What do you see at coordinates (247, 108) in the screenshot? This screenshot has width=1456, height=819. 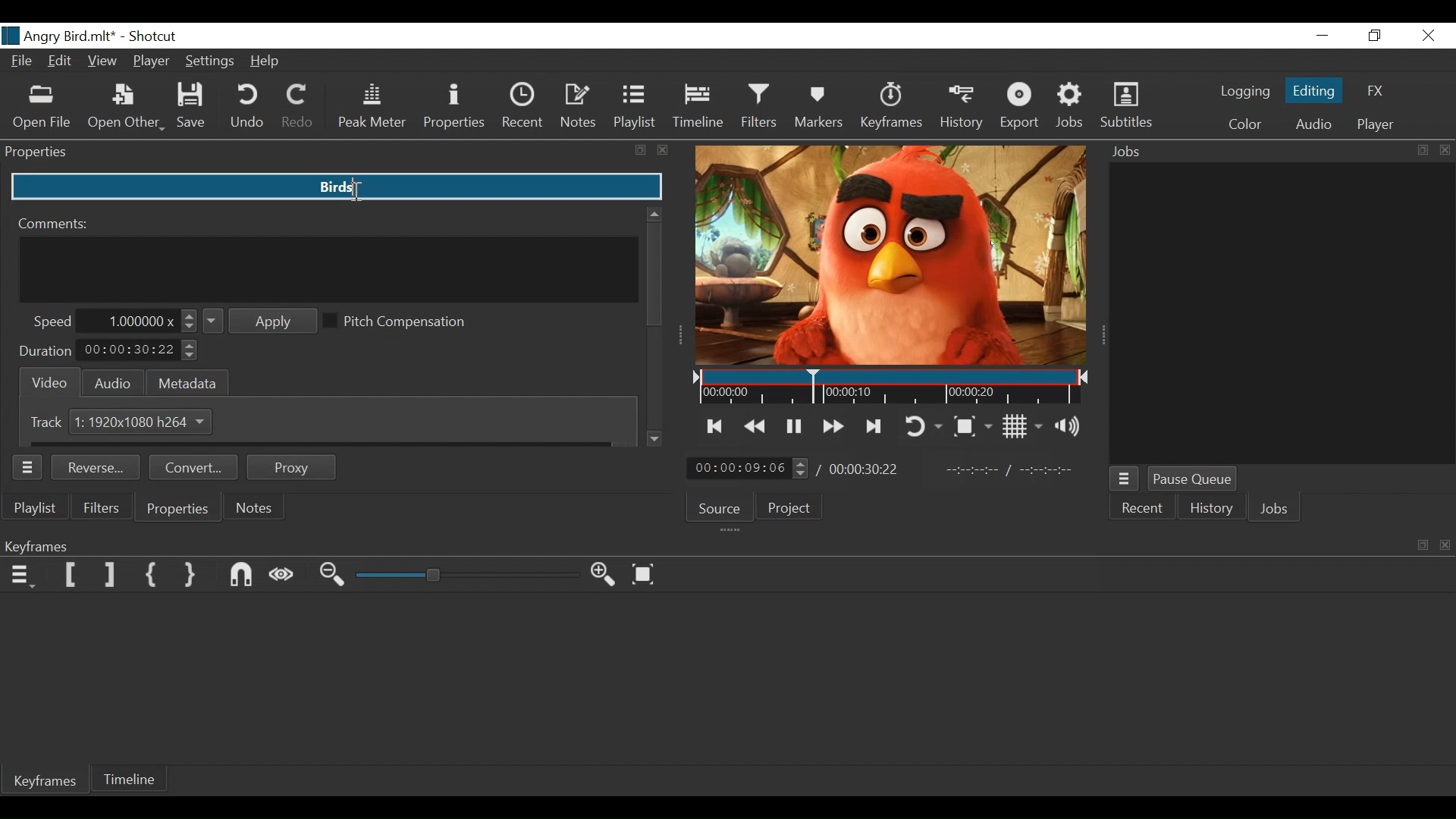 I see `Undo` at bounding box center [247, 108].